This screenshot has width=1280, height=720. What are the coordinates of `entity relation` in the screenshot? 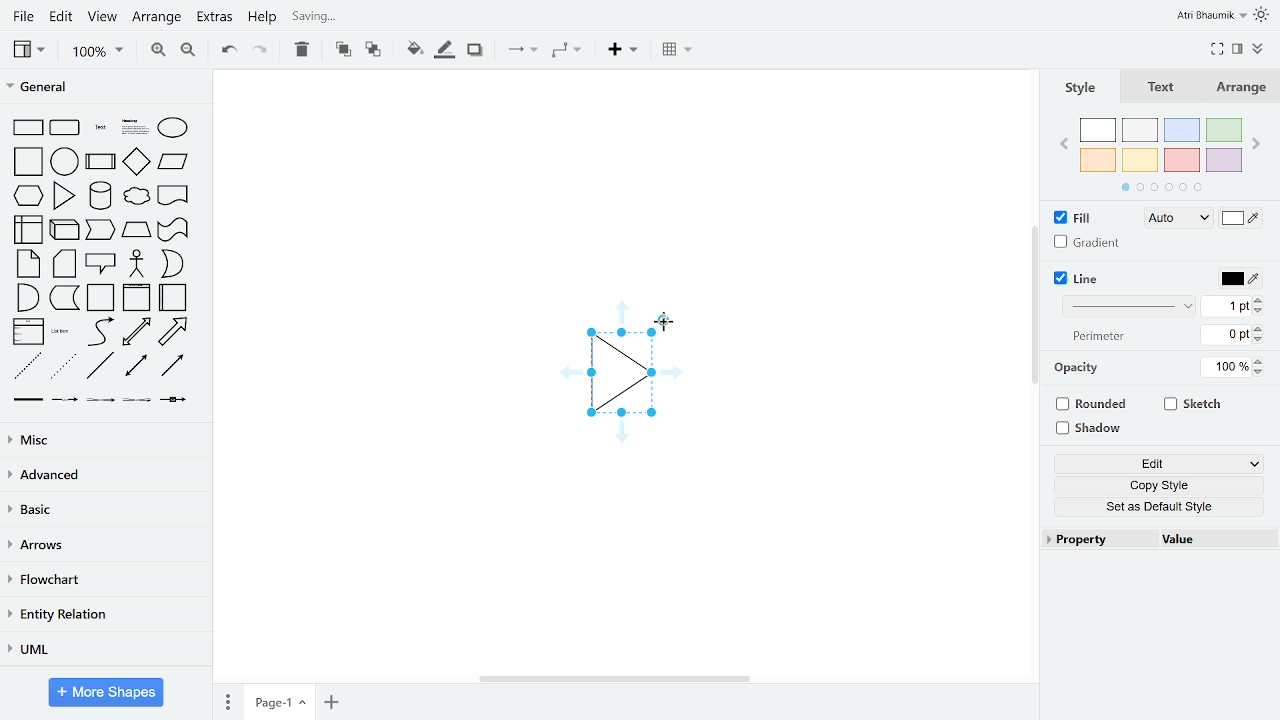 It's located at (103, 614).